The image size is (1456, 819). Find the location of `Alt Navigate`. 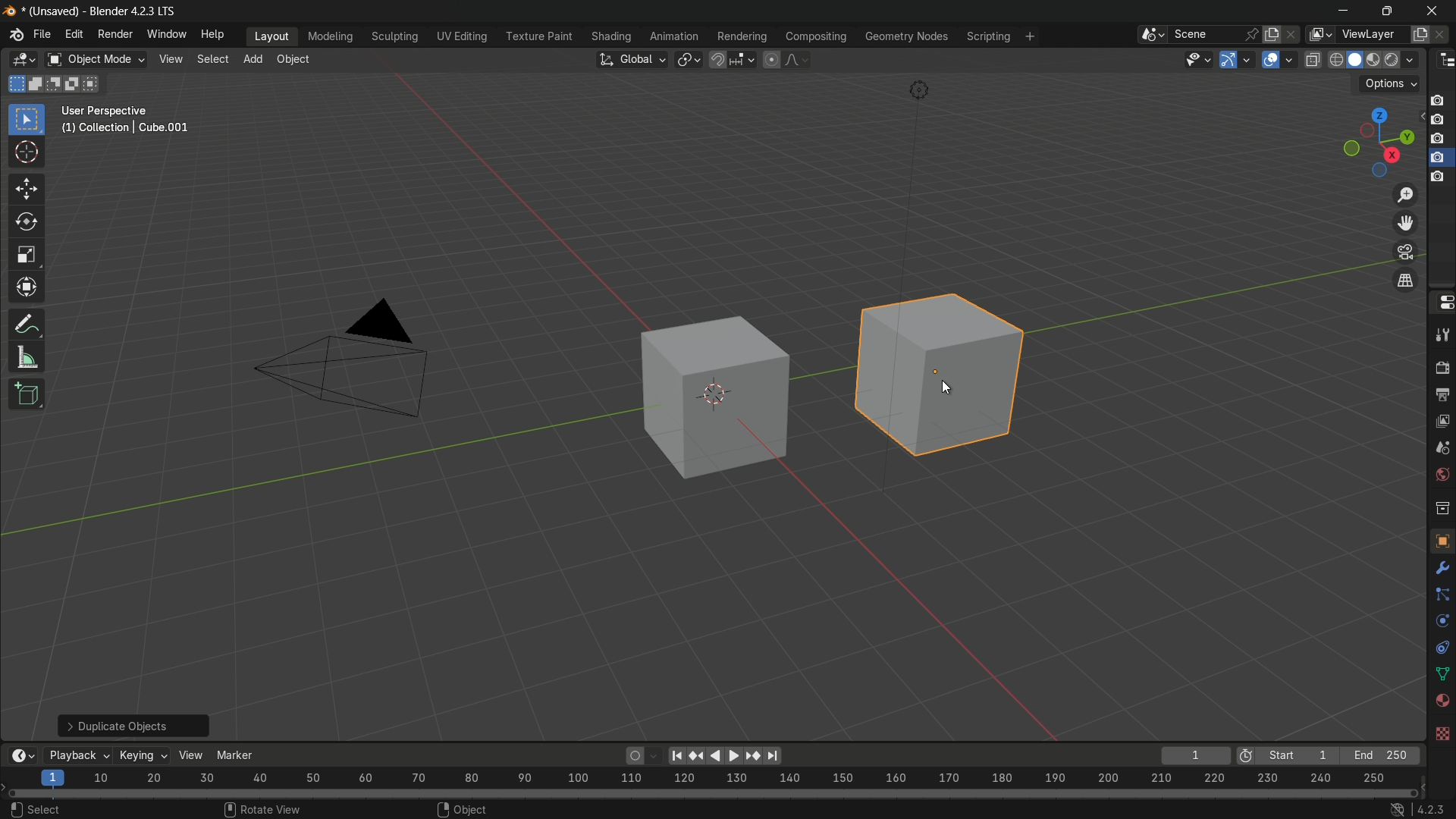

Alt Navigate is located at coordinates (1219, 810).